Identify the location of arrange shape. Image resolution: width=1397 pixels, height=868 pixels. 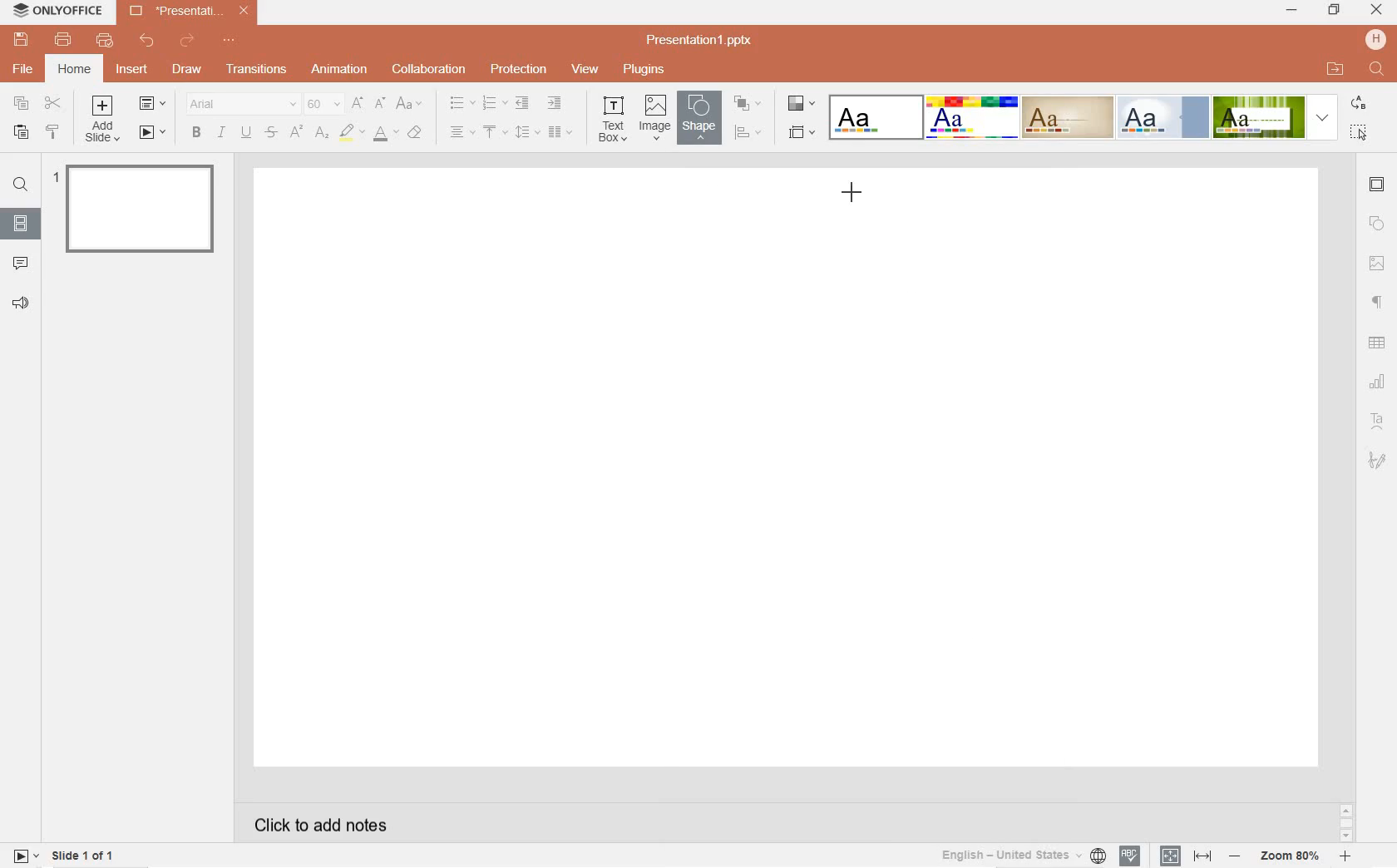
(747, 103).